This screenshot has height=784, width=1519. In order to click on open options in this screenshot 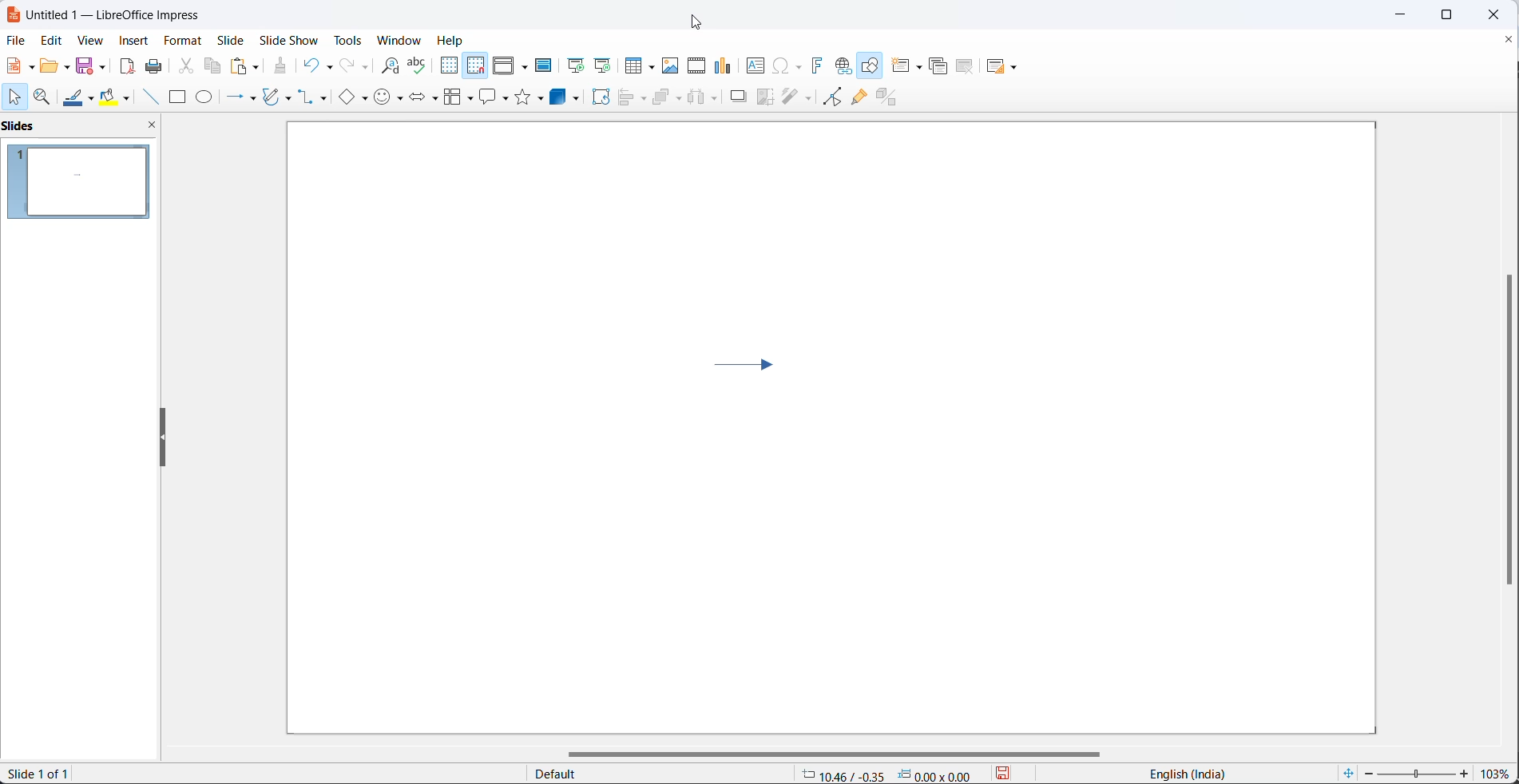, I will do `click(53, 65)`.